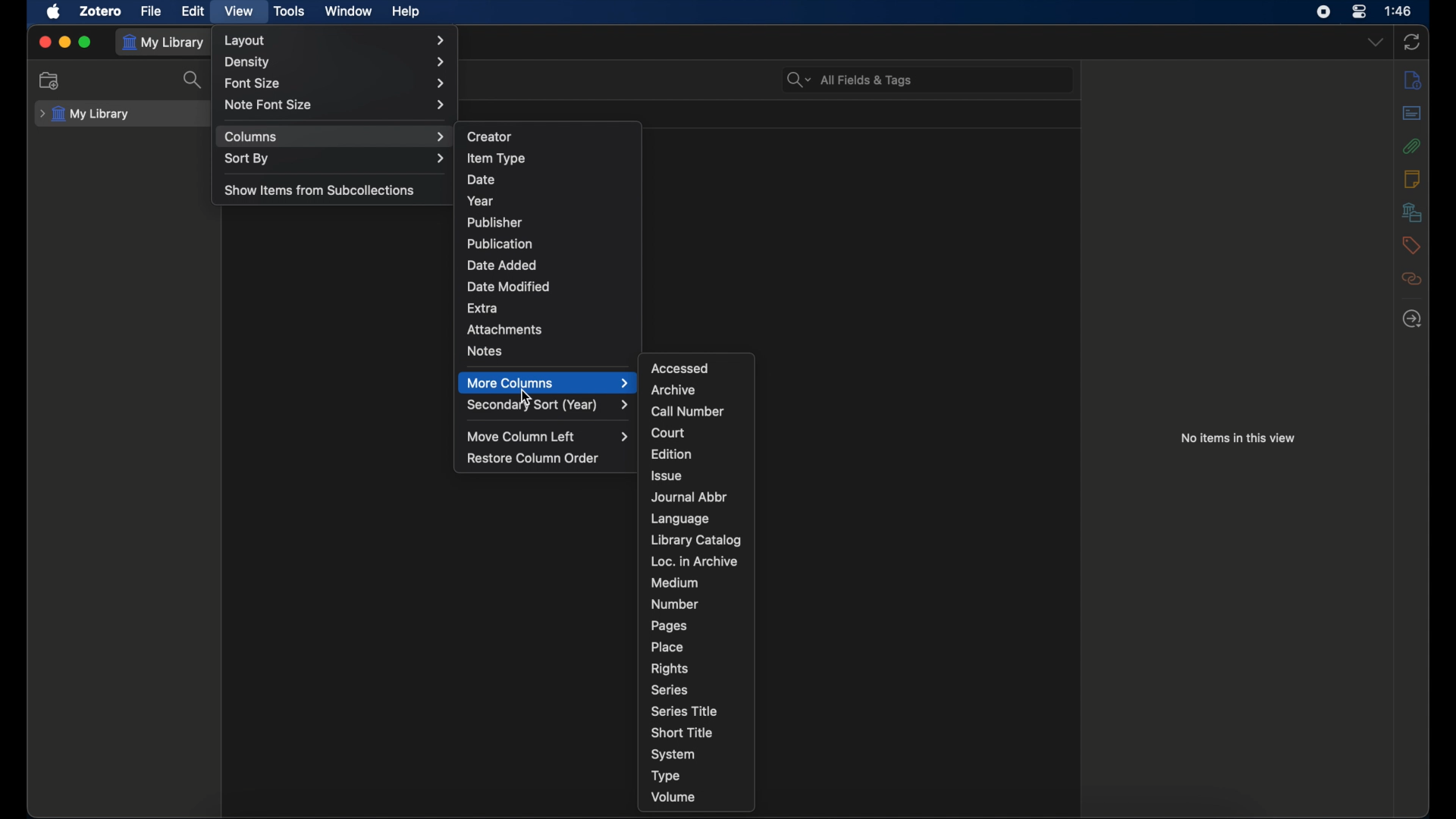  What do you see at coordinates (1323, 11) in the screenshot?
I see `screen recorder` at bounding box center [1323, 11].